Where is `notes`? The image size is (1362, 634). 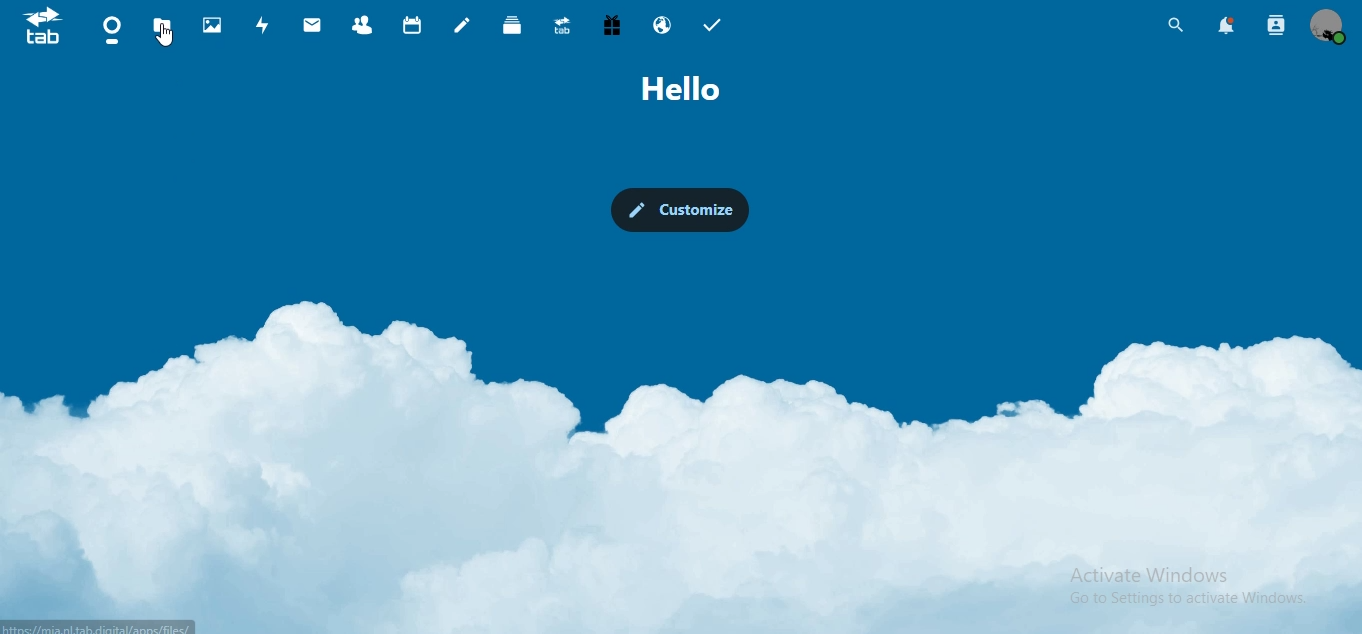 notes is located at coordinates (463, 25).